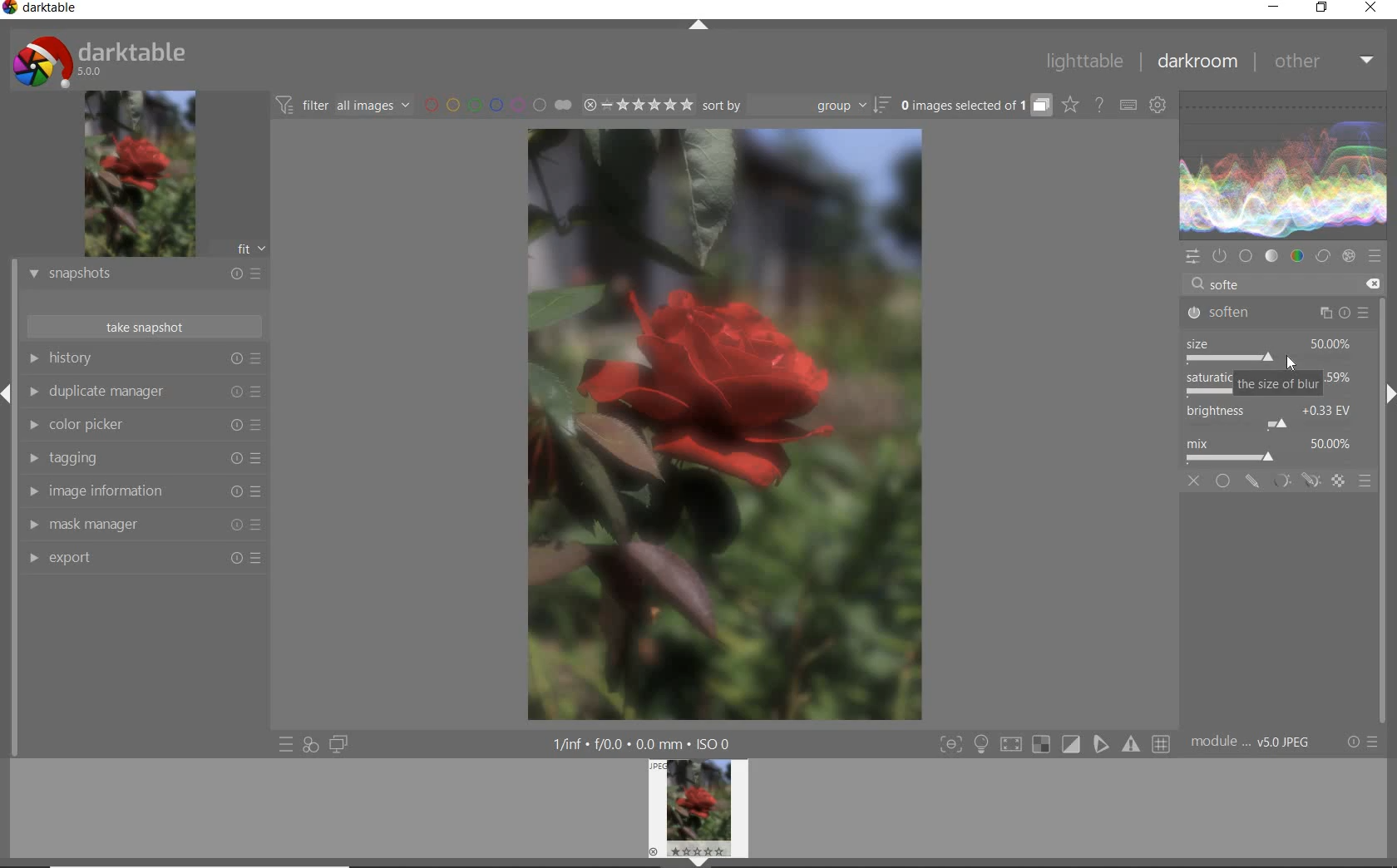 Image resolution: width=1397 pixels, height=868 pixels. Describe the element at coordinates (1271, 414) in the screenshot. I see `brightness` at that location.